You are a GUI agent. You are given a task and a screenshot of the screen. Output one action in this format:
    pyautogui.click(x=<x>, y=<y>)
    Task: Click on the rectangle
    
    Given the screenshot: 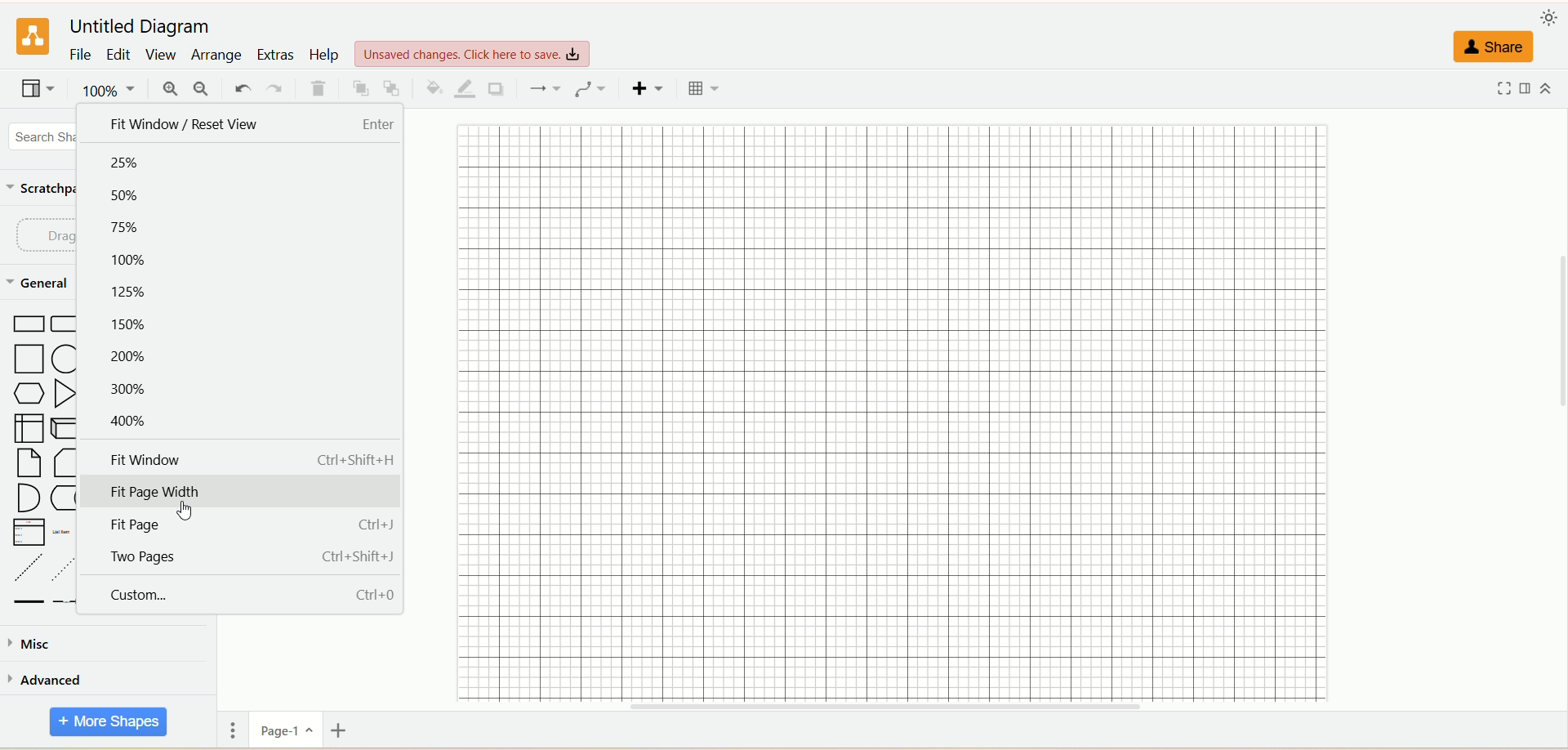 What is the action you would take?
    pyautogui.click(x=28, y=325)
    